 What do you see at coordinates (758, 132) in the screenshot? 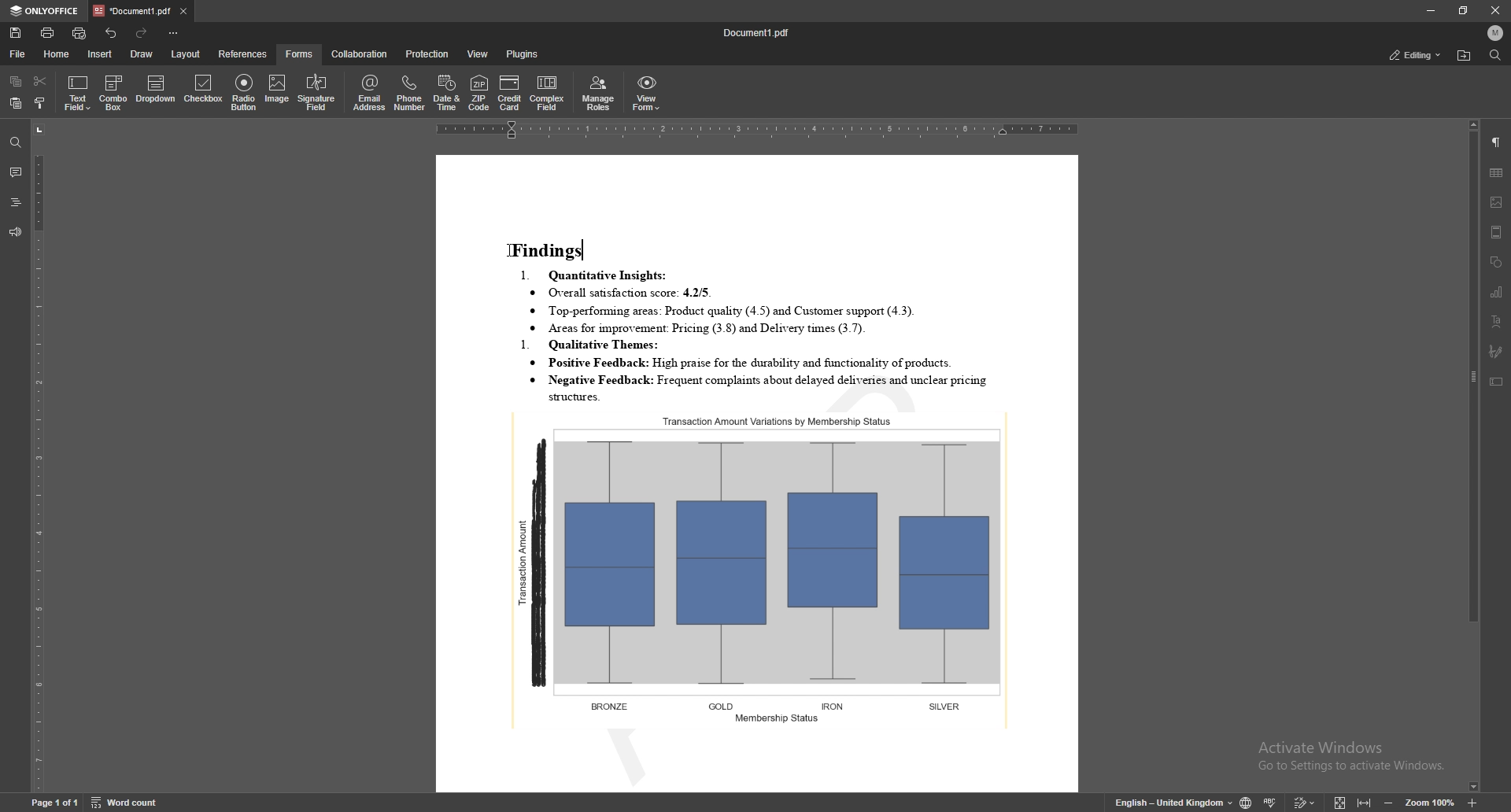
I see `horizontal scale` at bounding box center [758, 132].